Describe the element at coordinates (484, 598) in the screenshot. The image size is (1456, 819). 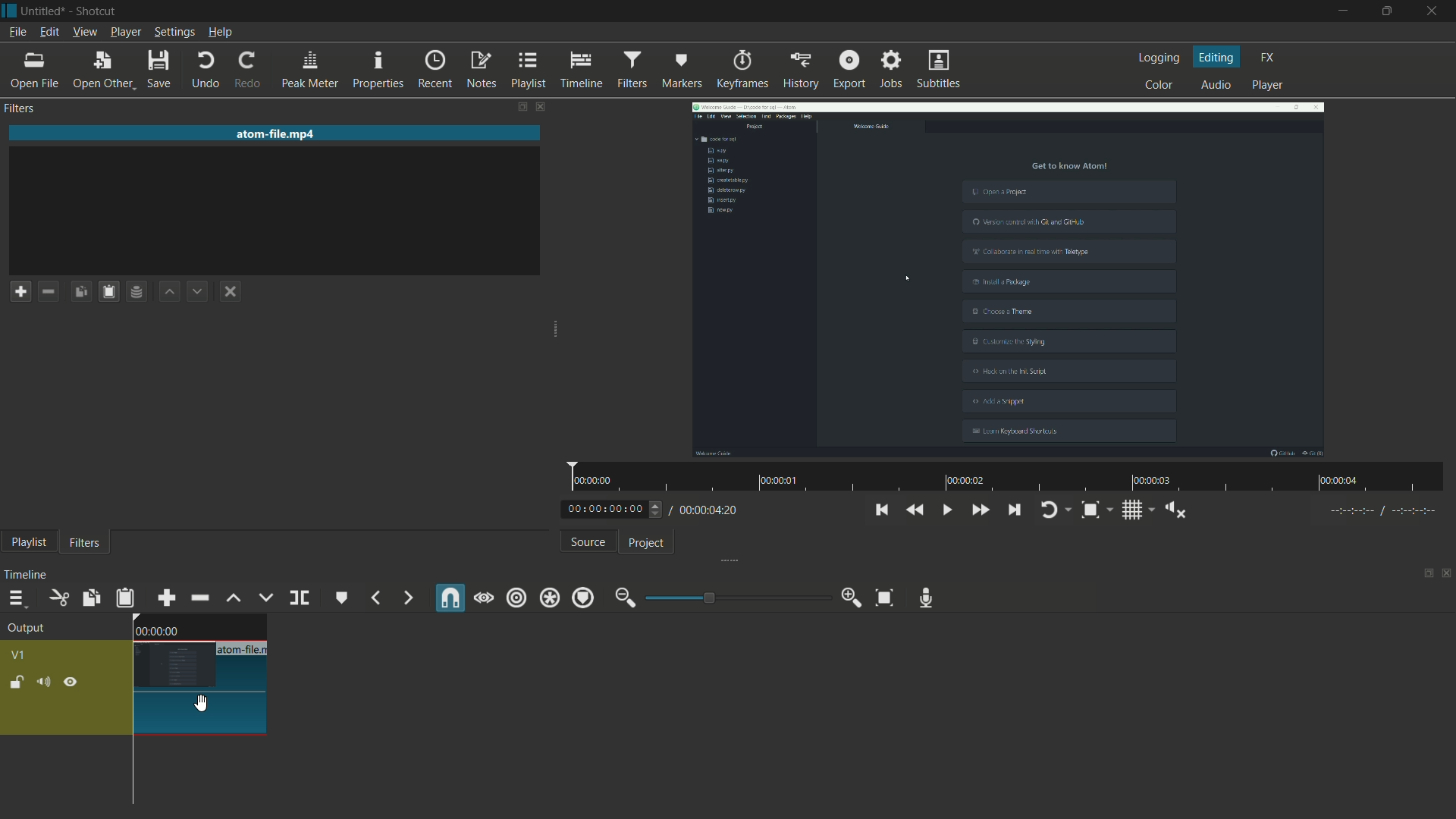
I see `scrub while dragging` at that location.